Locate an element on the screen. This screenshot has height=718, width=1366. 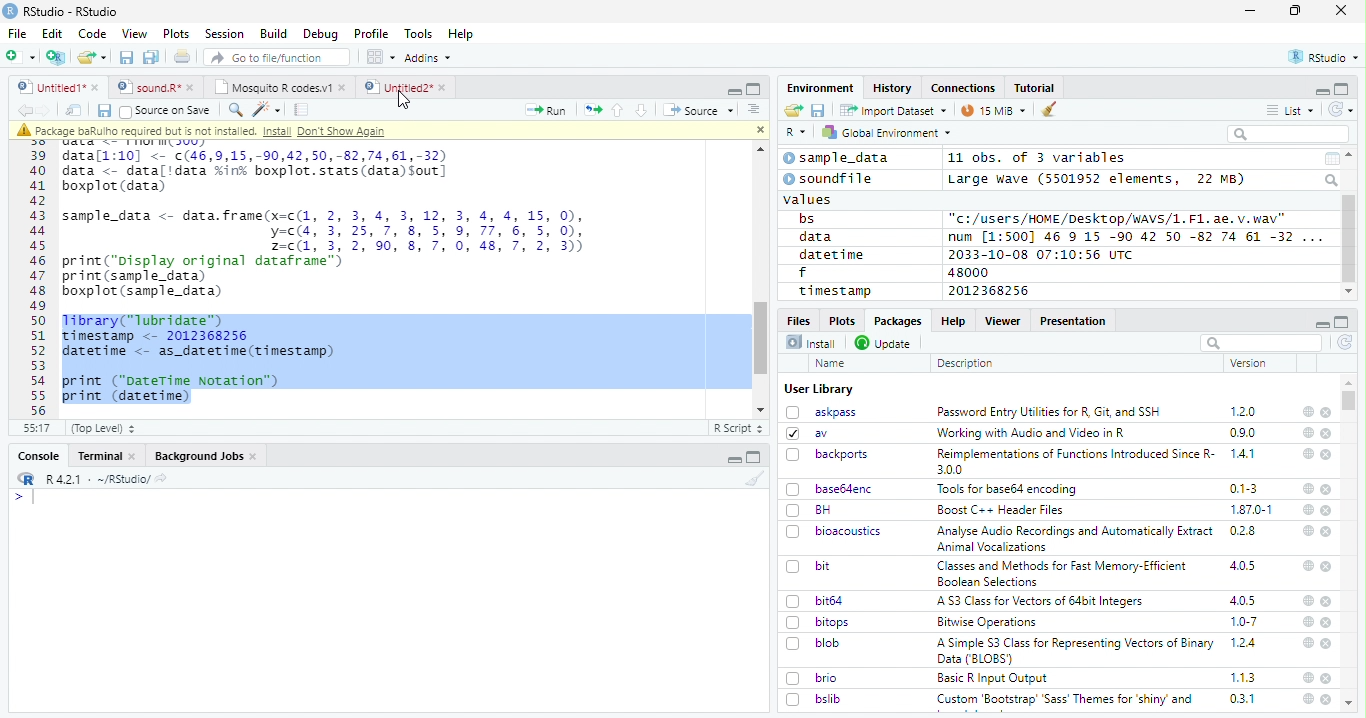
backports is located at coordinates (830, 455).